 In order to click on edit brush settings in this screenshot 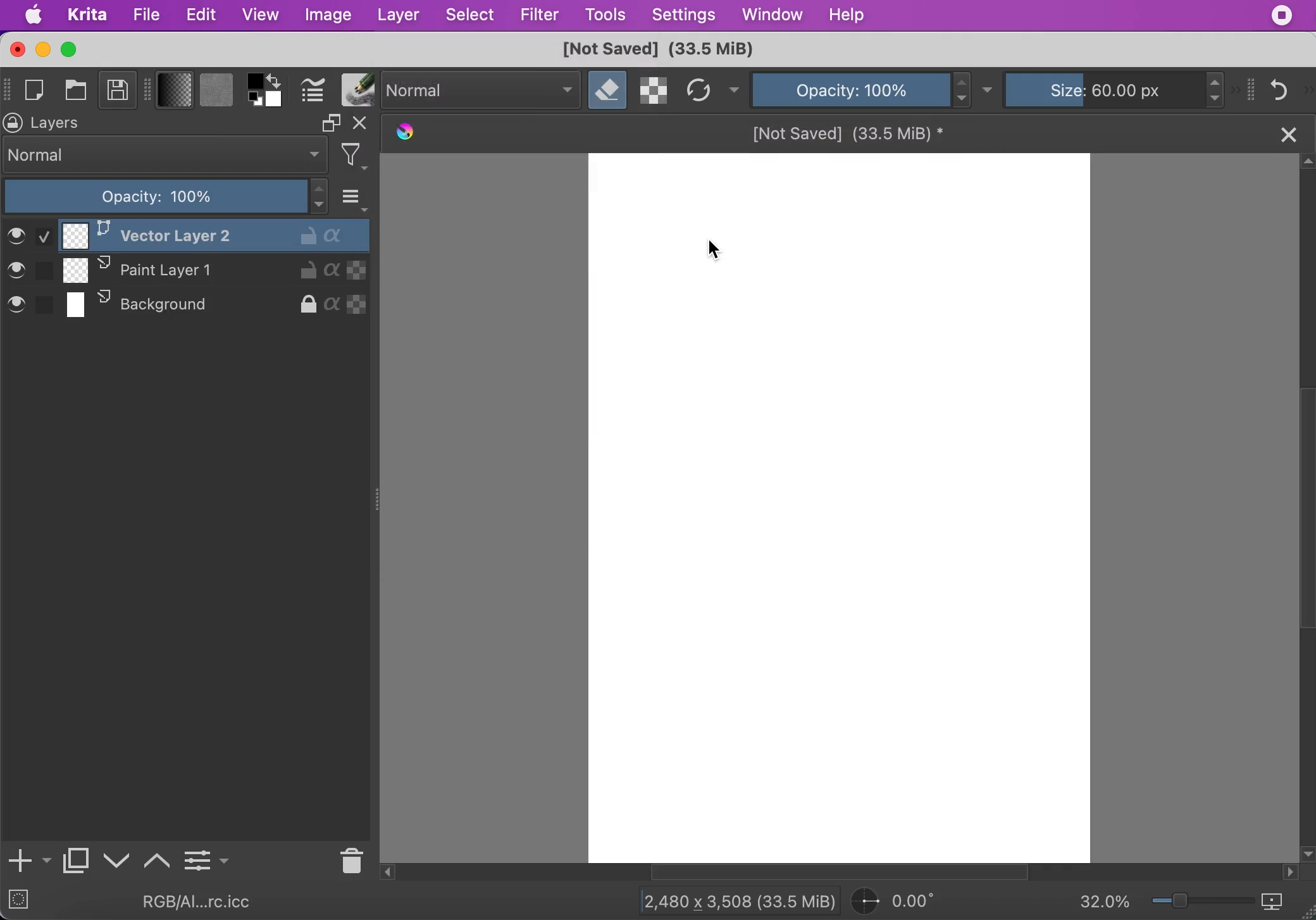, I will do `click(313, 91)`.